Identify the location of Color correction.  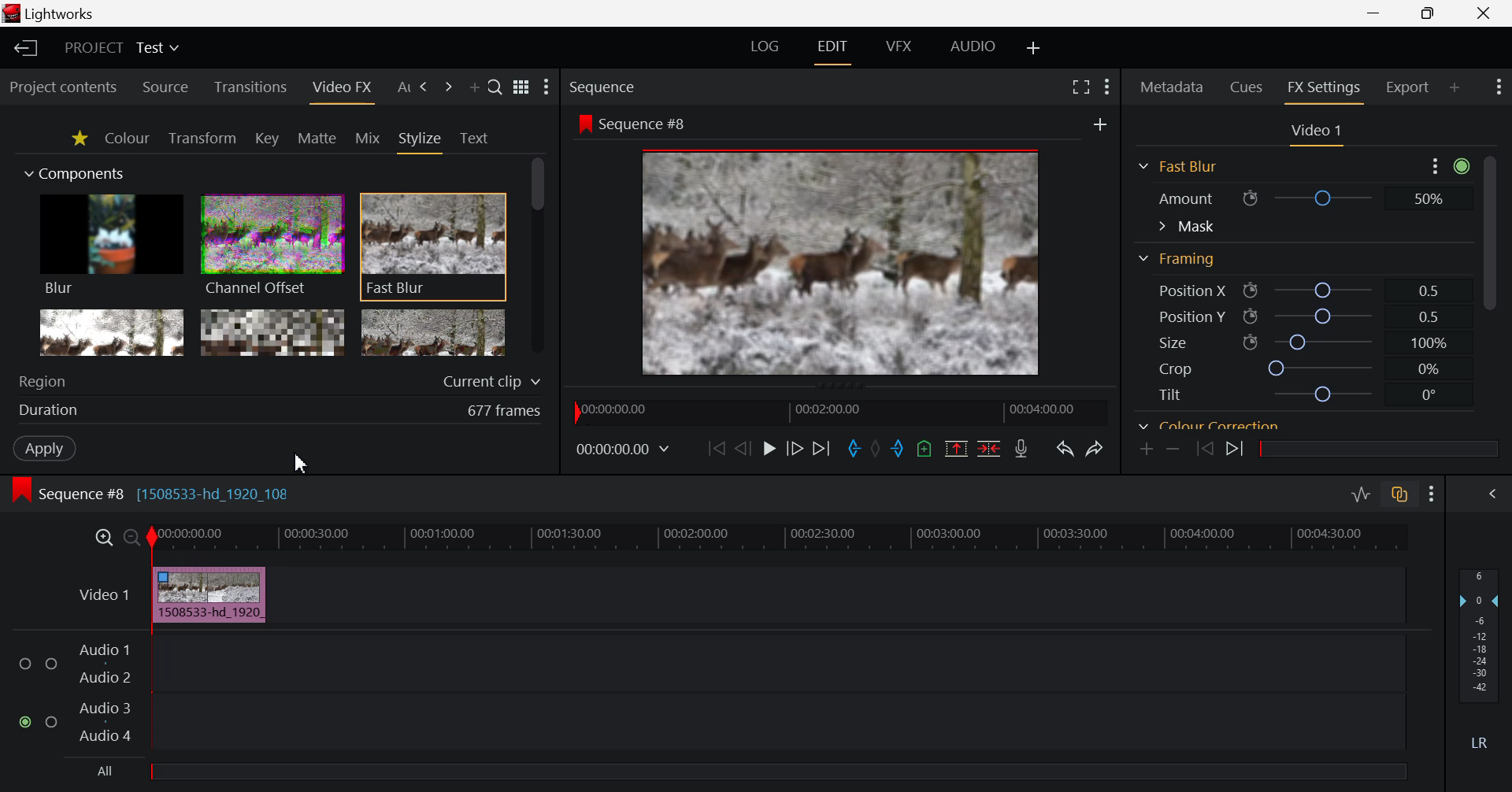
(1291, 422).